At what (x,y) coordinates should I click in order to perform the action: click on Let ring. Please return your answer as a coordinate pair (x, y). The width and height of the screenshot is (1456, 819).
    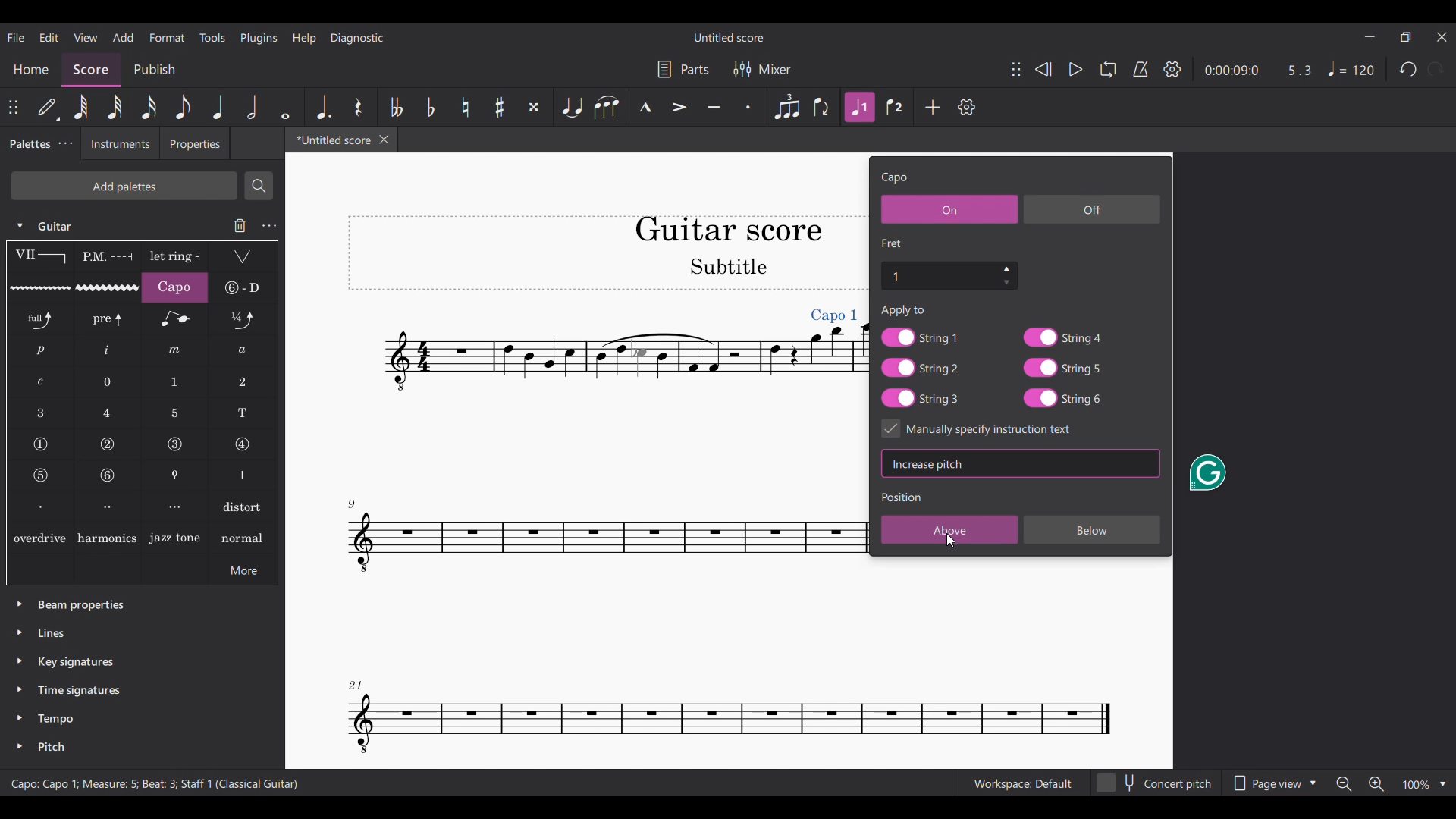
    Looking at the image, I should click on (175, 257).